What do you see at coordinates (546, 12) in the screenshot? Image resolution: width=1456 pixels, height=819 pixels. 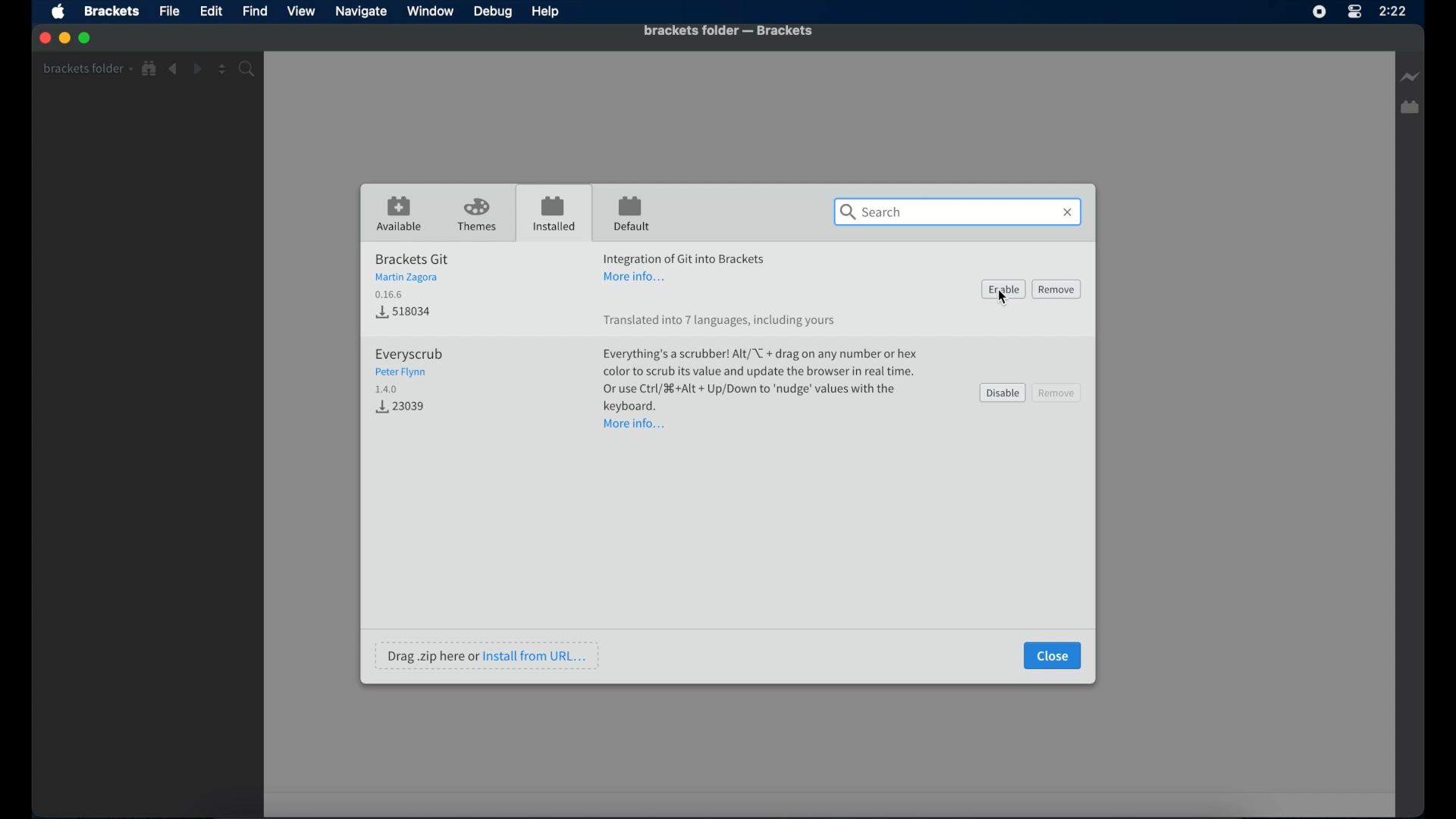 I see `help` at bounding box center [546, 12].